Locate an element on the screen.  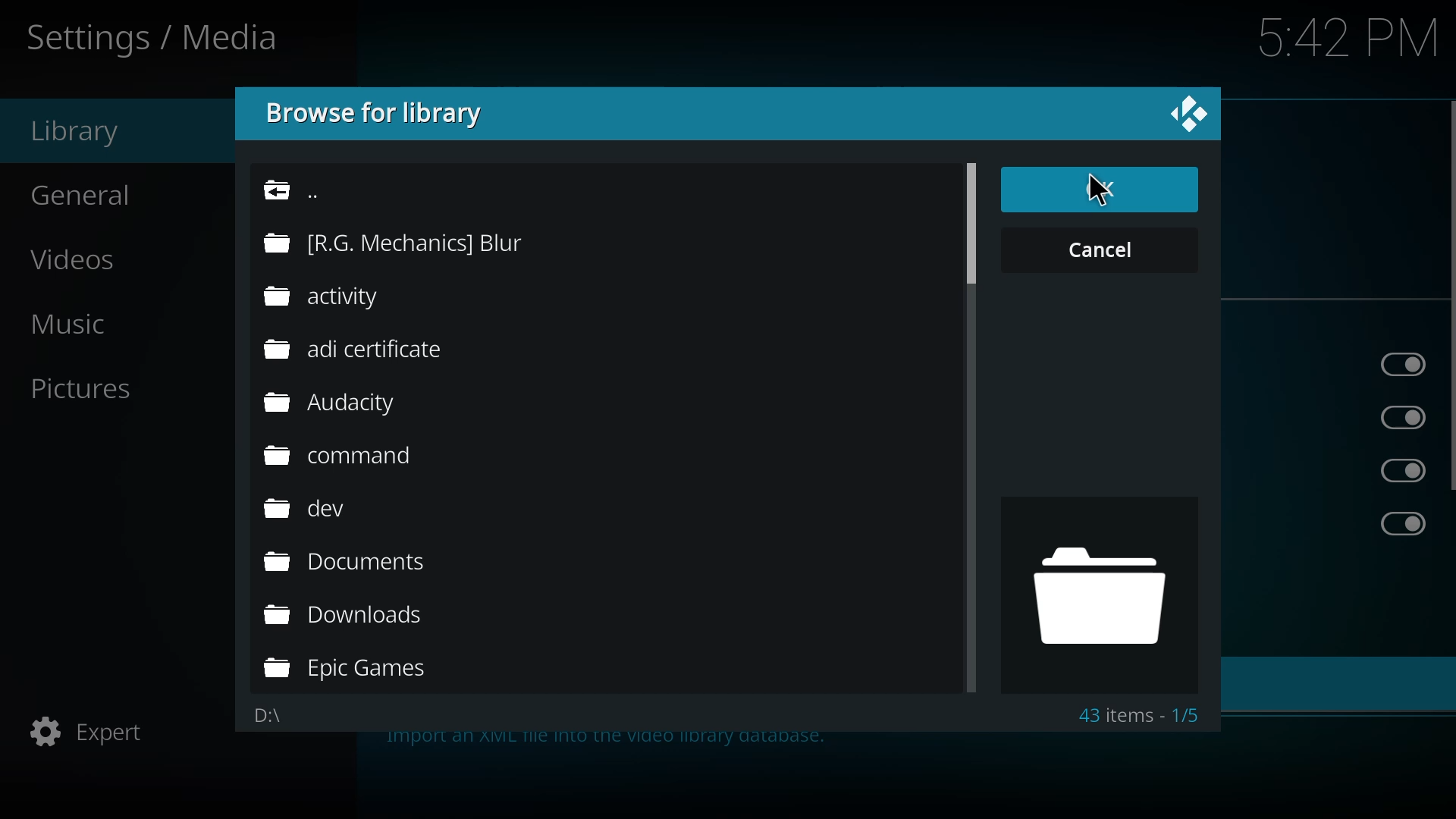
folder is located at coordinates (351, 562).